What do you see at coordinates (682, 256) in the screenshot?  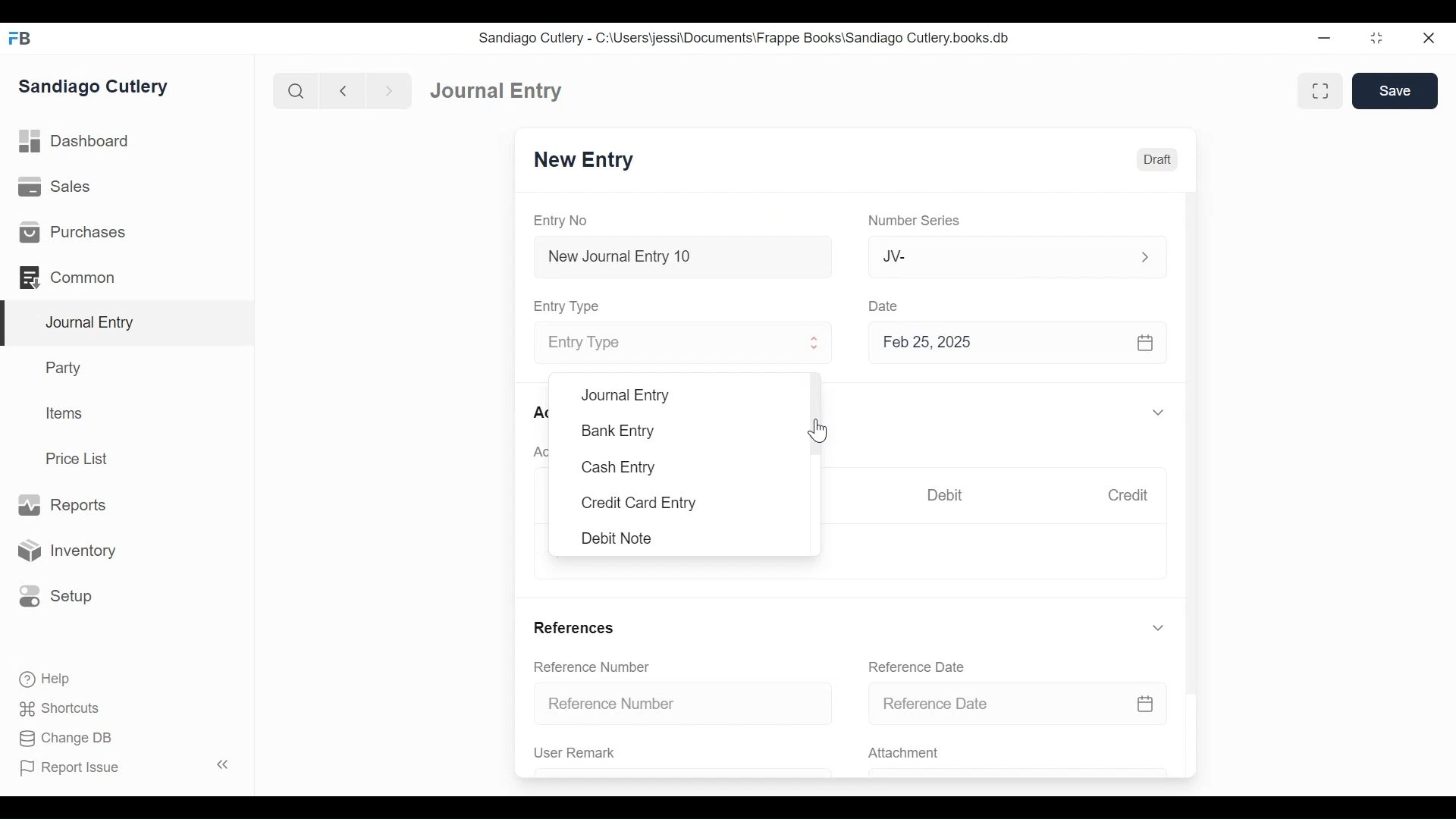 I see `New Journal Entry 10` at bounding box center [682, 256].